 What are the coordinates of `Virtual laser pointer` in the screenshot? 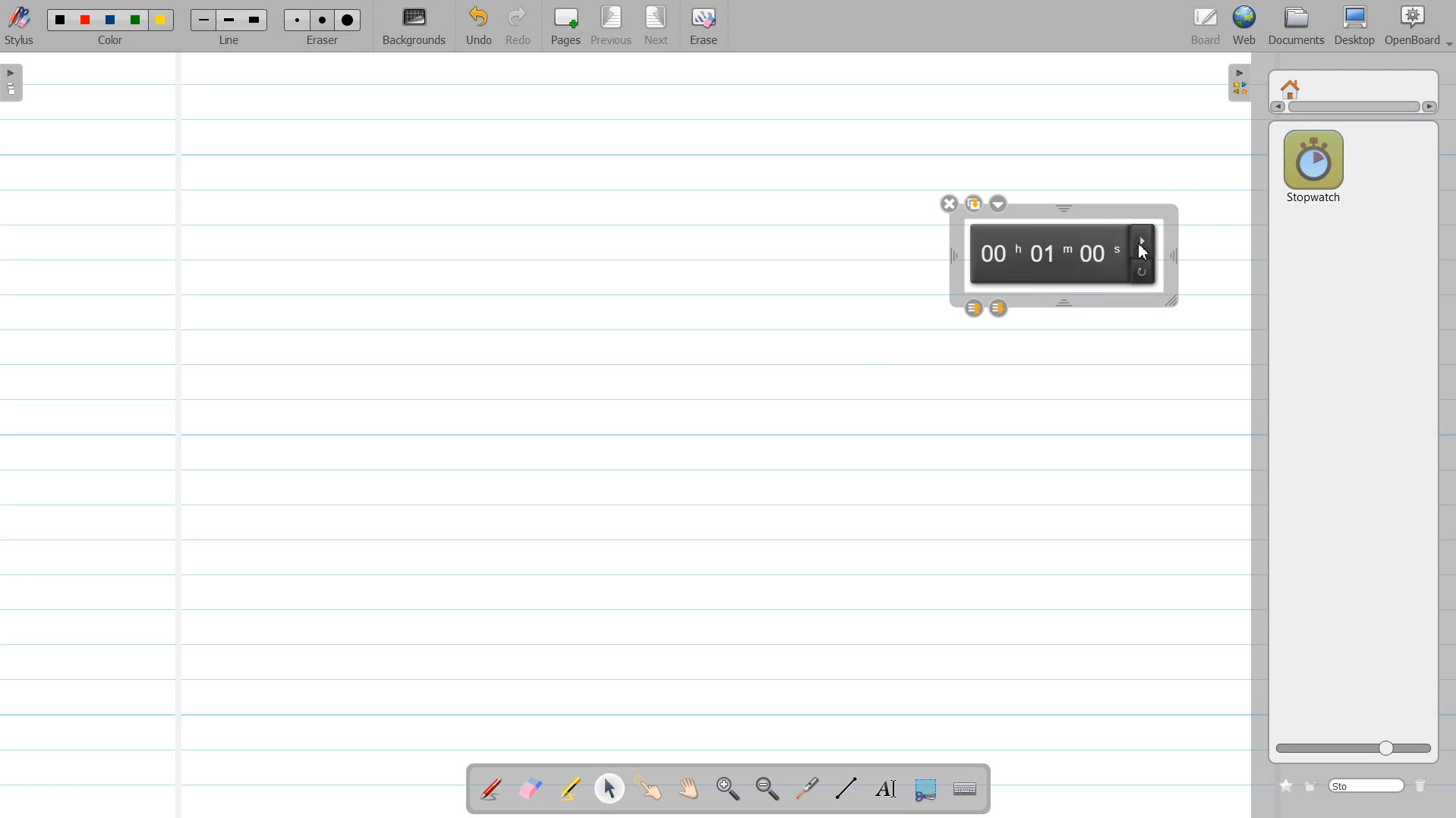 It's located at (807, 789).